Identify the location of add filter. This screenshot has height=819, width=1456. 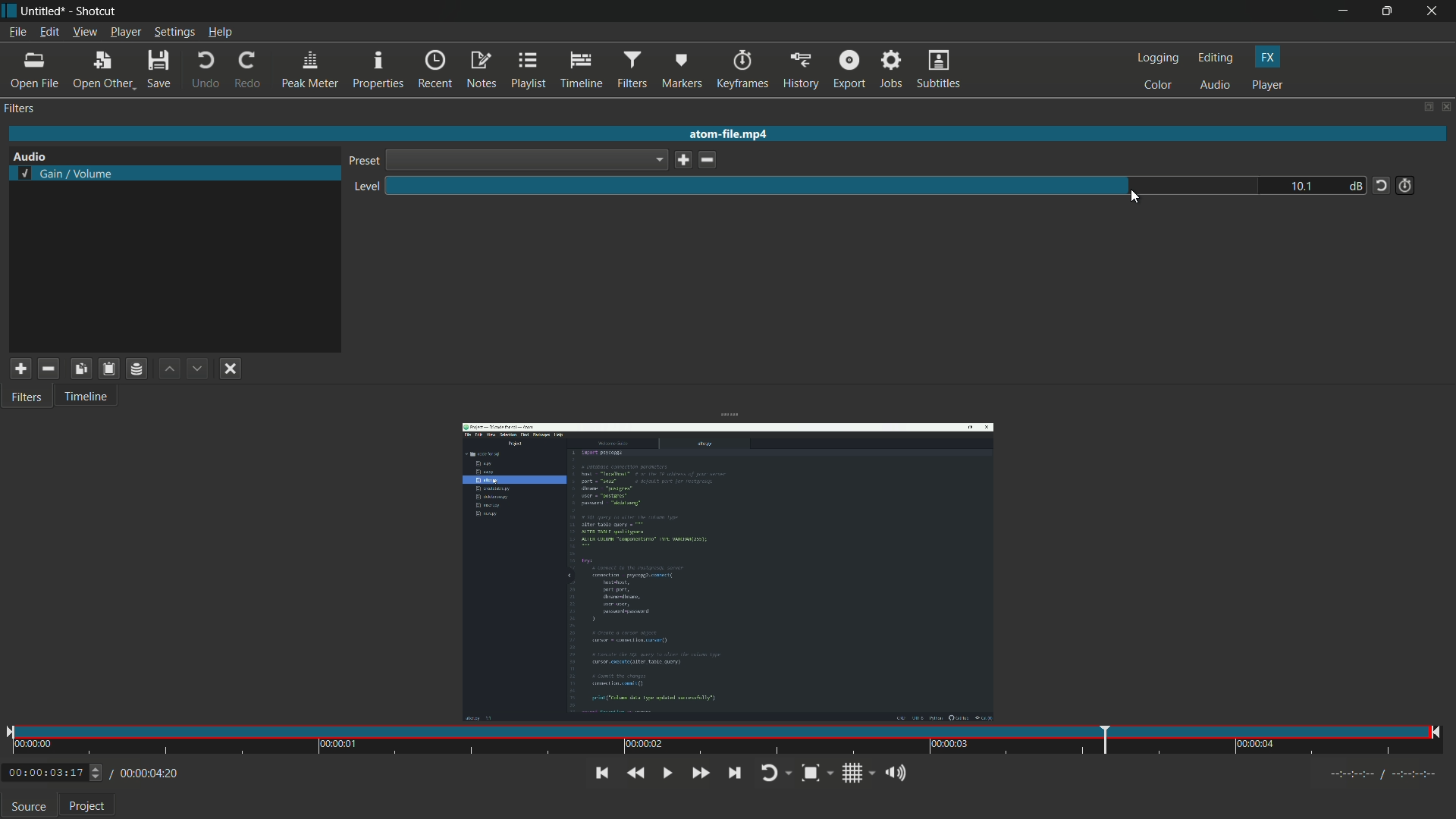
(20, 369).